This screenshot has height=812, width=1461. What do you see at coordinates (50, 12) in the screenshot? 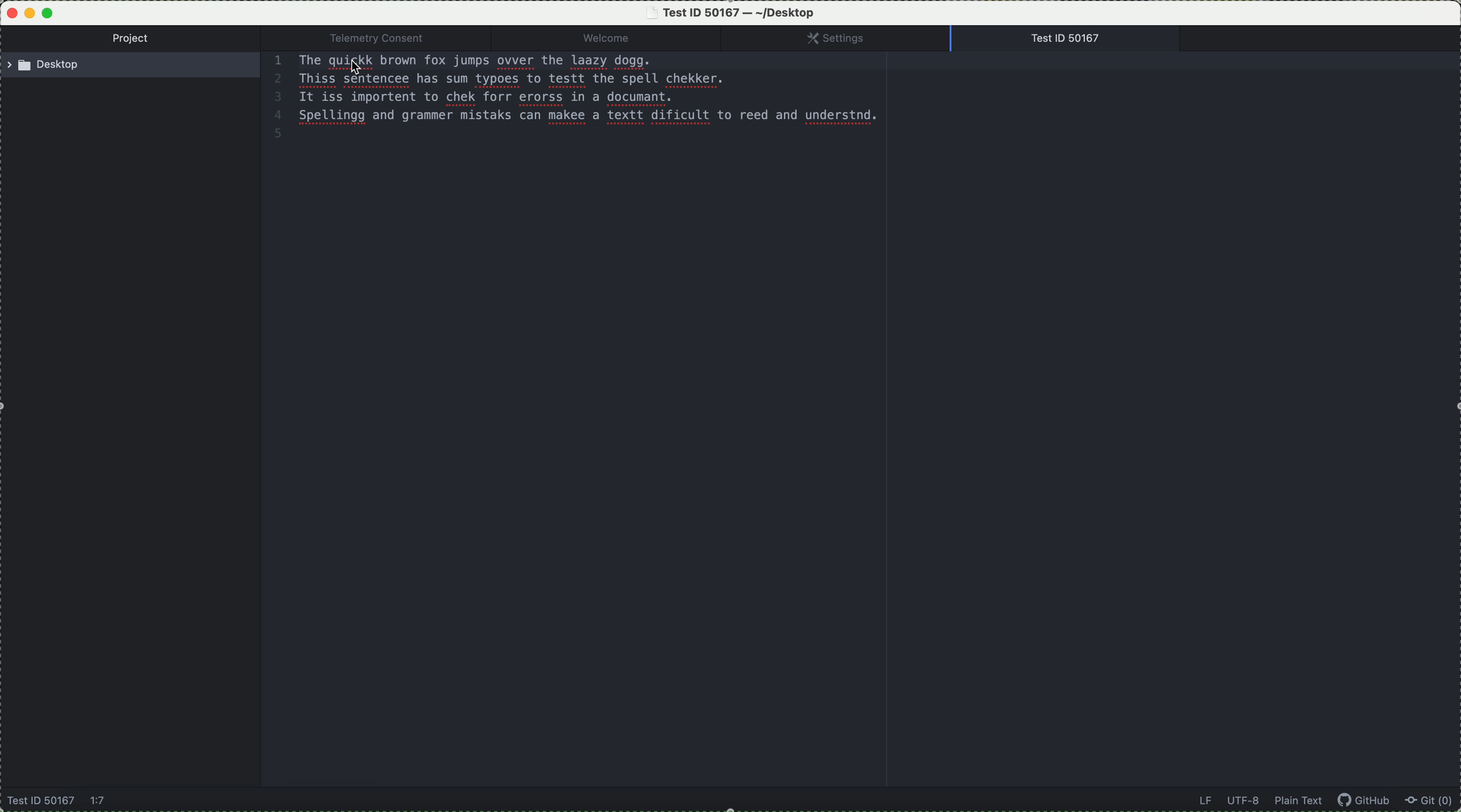
I see `maximize program` at bounding box center [50, 12].